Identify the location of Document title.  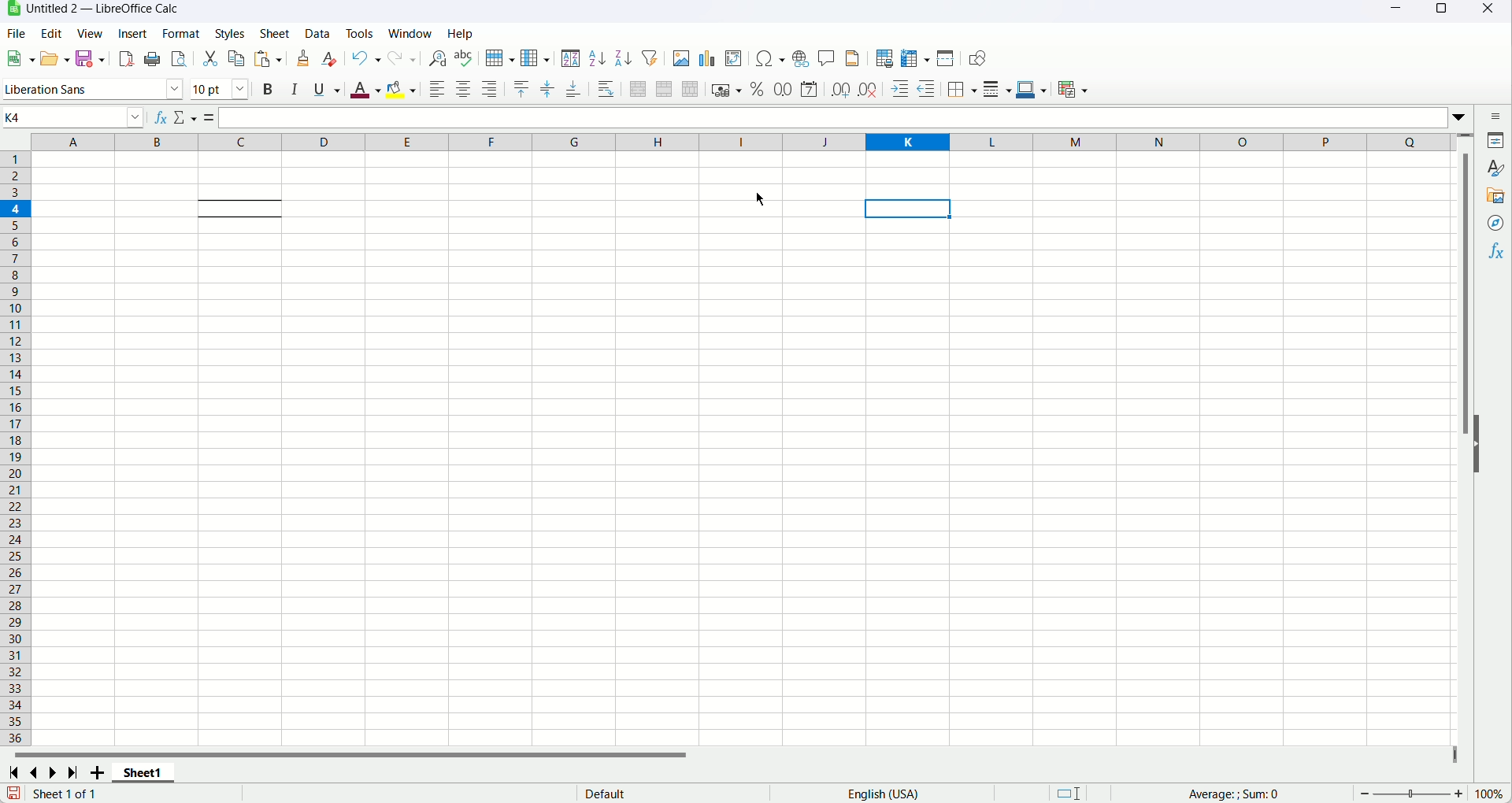
(105, 9).